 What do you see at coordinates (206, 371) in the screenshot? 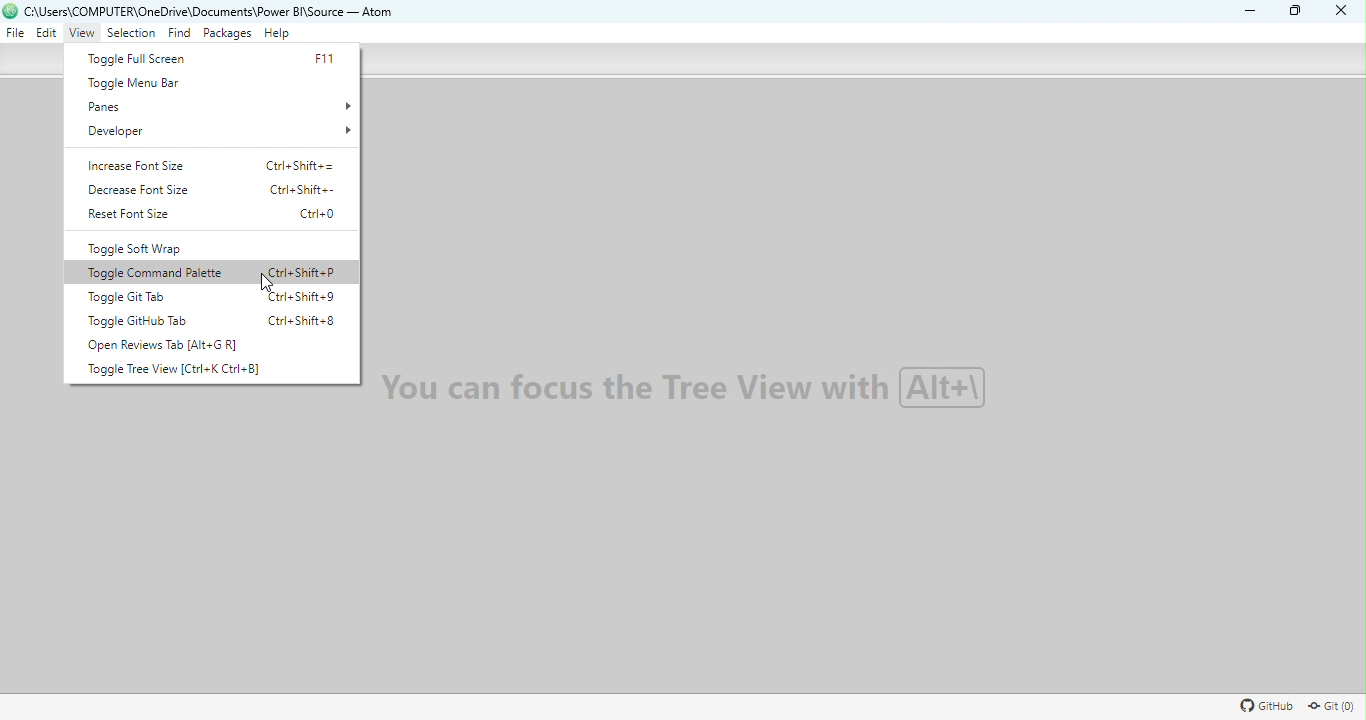
I see `Toggle tree view` at bounding box center [206, 371].